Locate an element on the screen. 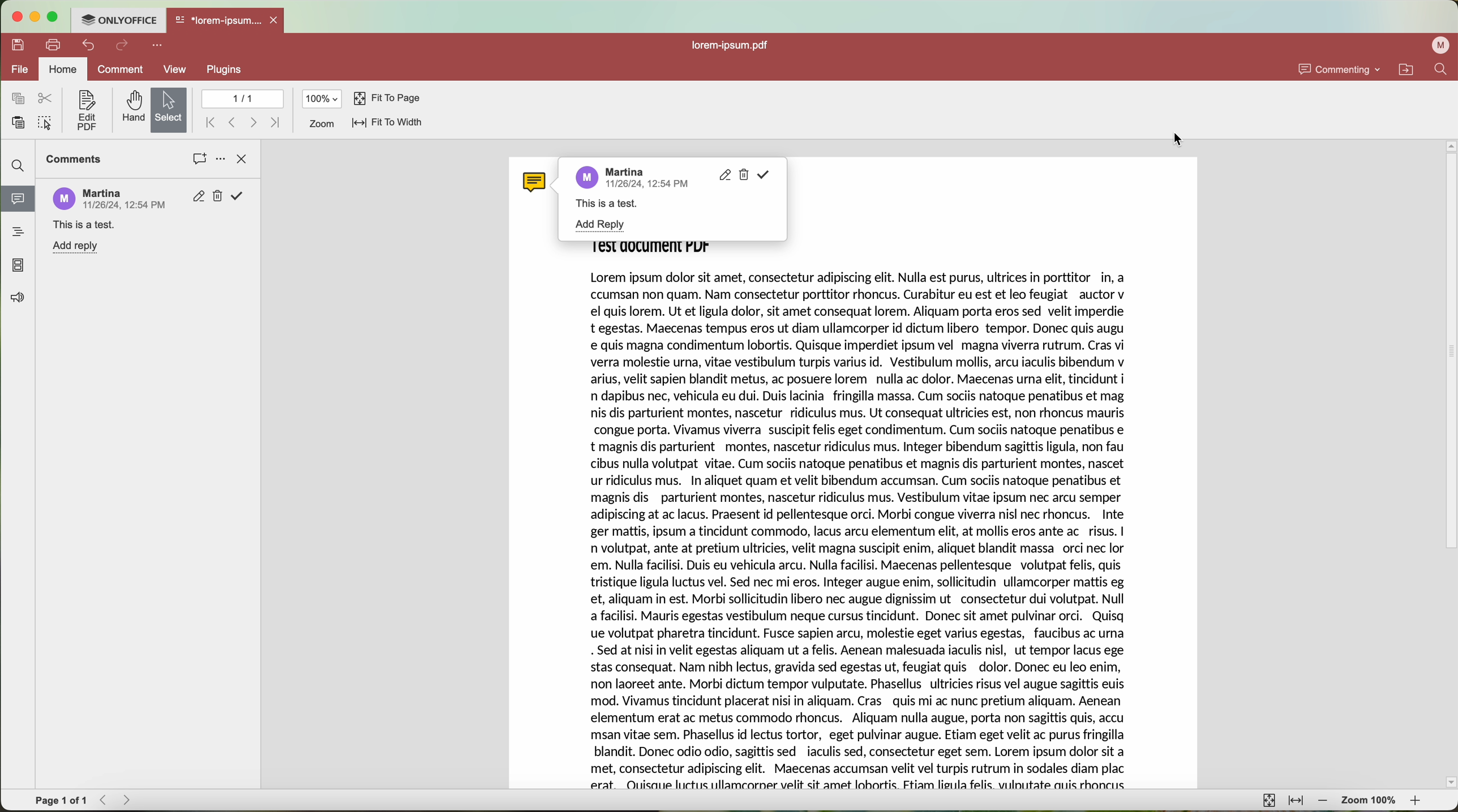 Image resolution: width=1458 pixels, height=812 pixels. navigate arrows is located at coordinates (242, 122).